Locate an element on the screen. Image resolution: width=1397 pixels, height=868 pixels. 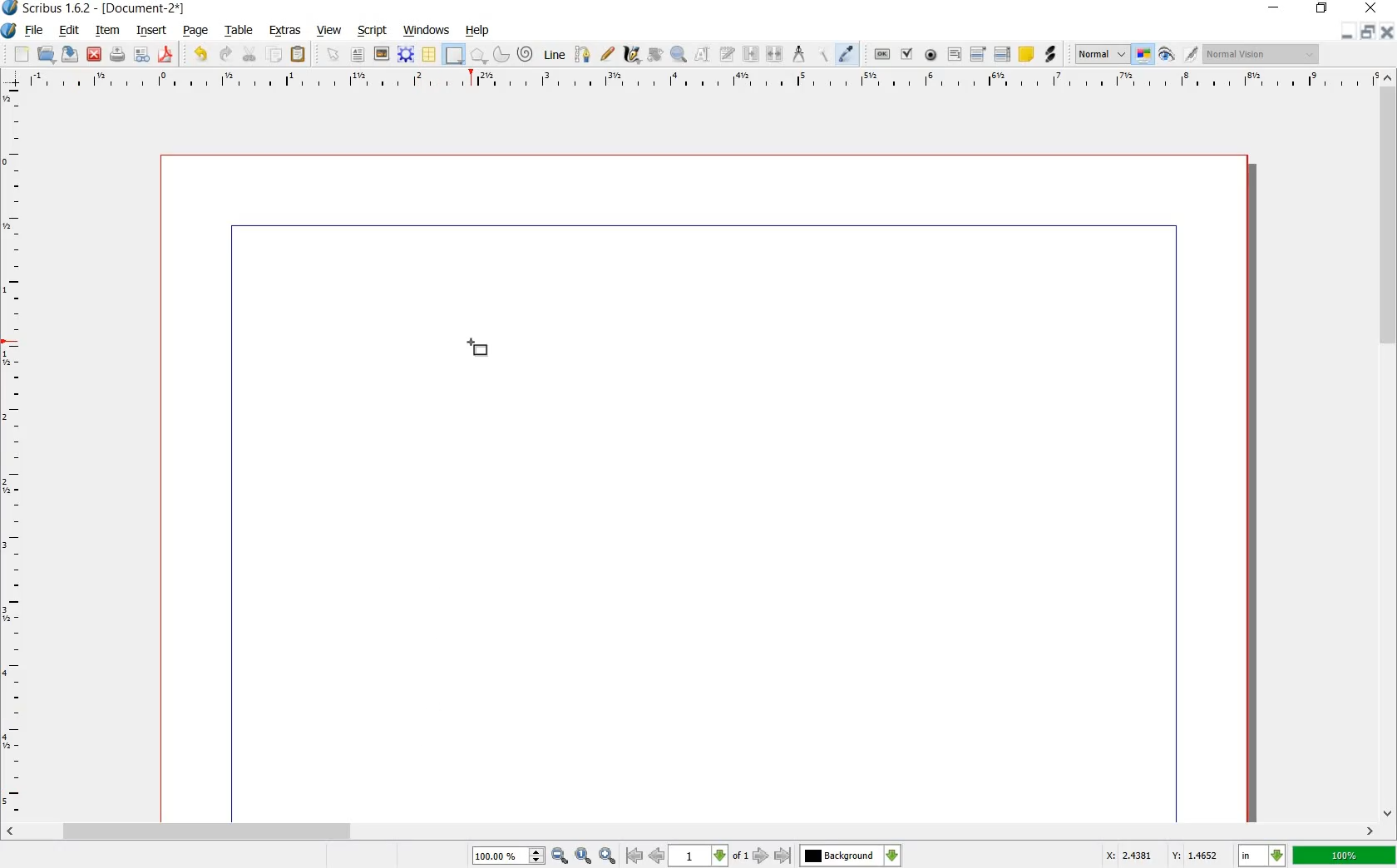
SELECT is located at coordinates (334, 56).